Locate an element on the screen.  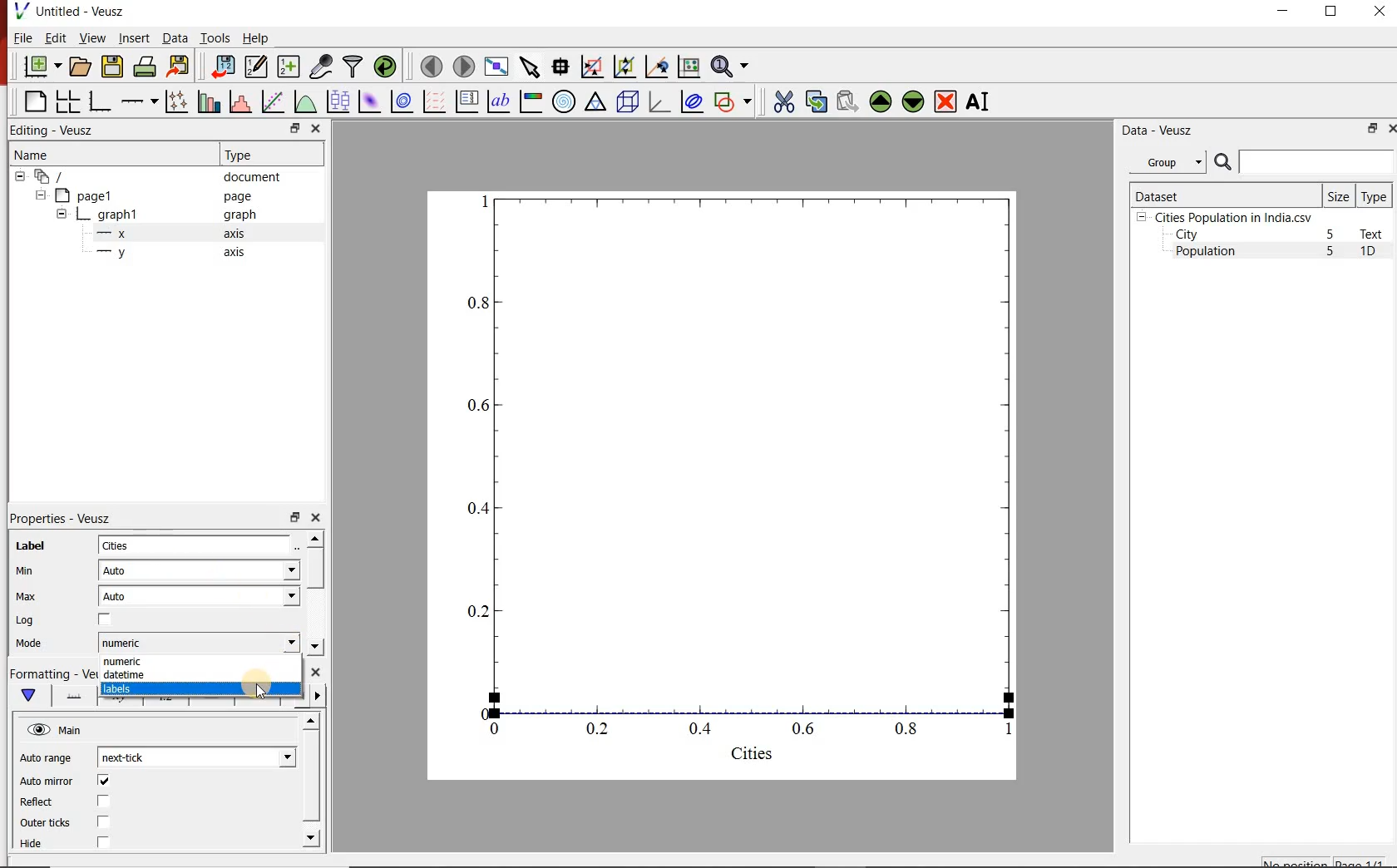
close is located at coordinates (1390, 128).